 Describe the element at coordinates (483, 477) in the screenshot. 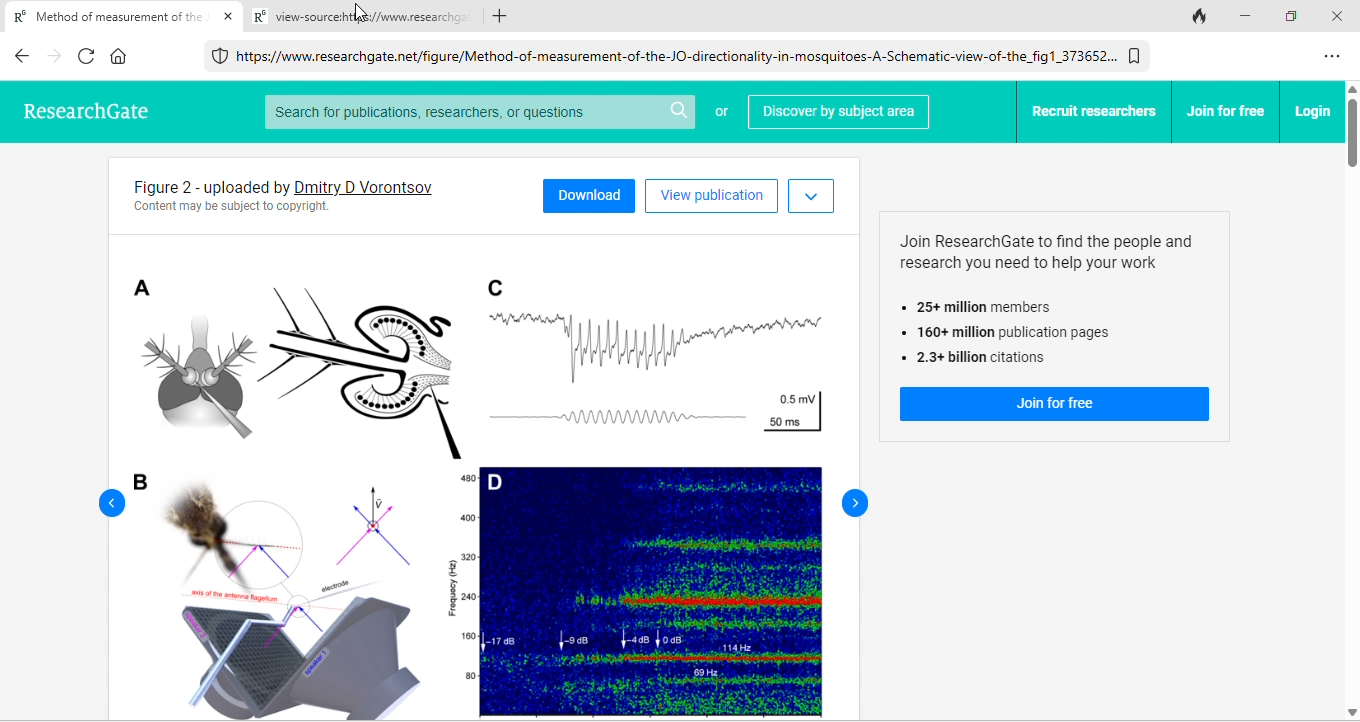

I see `image` at that location.